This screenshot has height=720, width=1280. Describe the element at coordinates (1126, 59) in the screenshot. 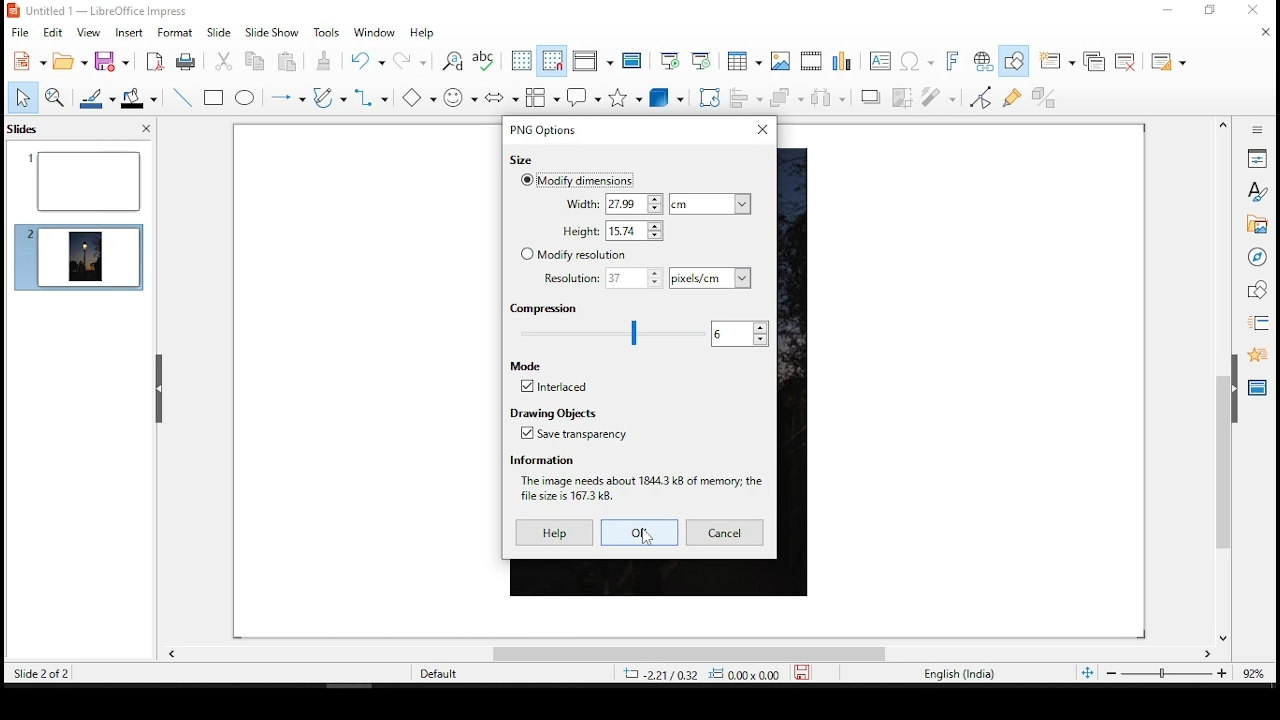

I see `delete slide` at that location.